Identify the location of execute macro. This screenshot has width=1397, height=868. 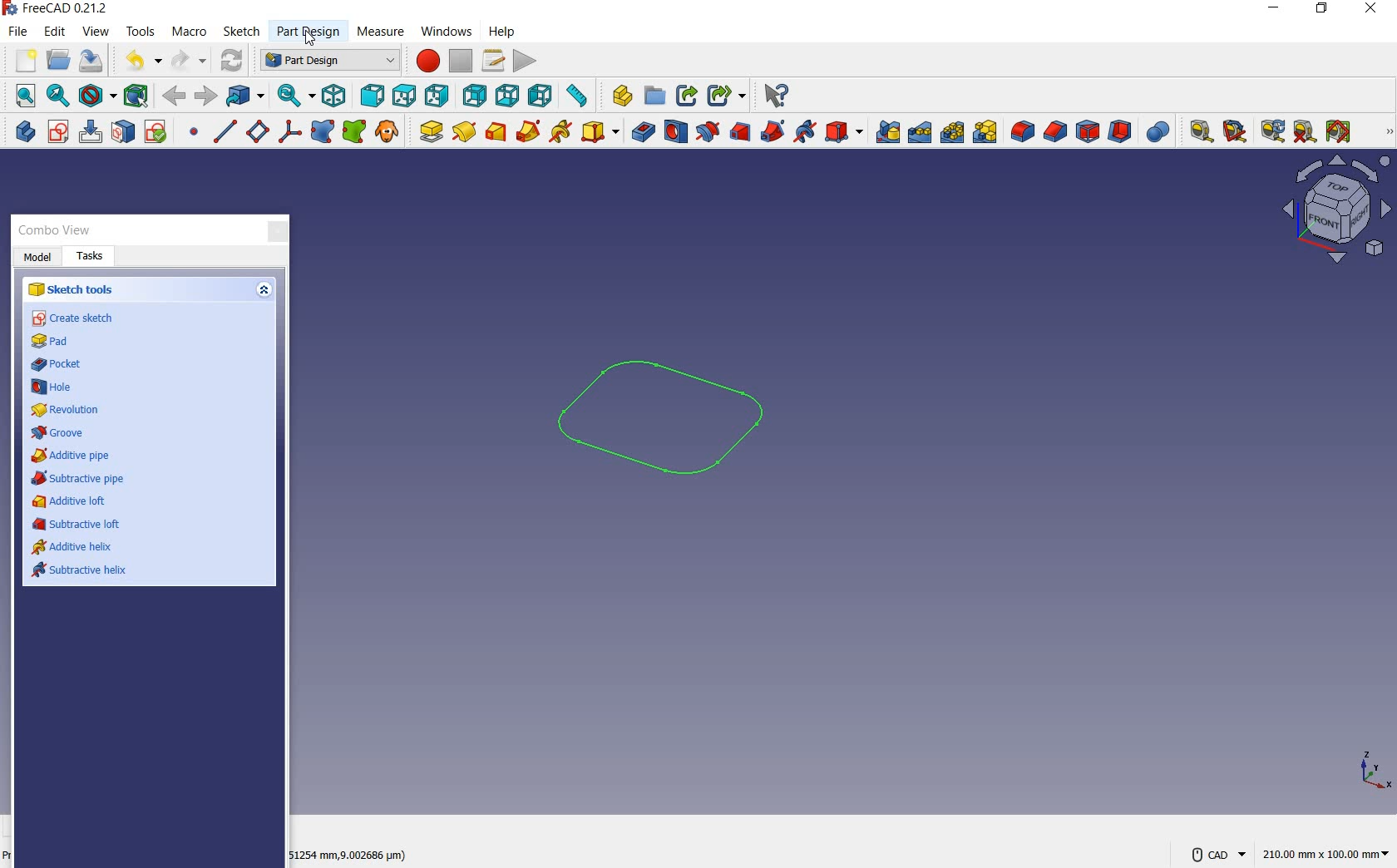
(526, 61).